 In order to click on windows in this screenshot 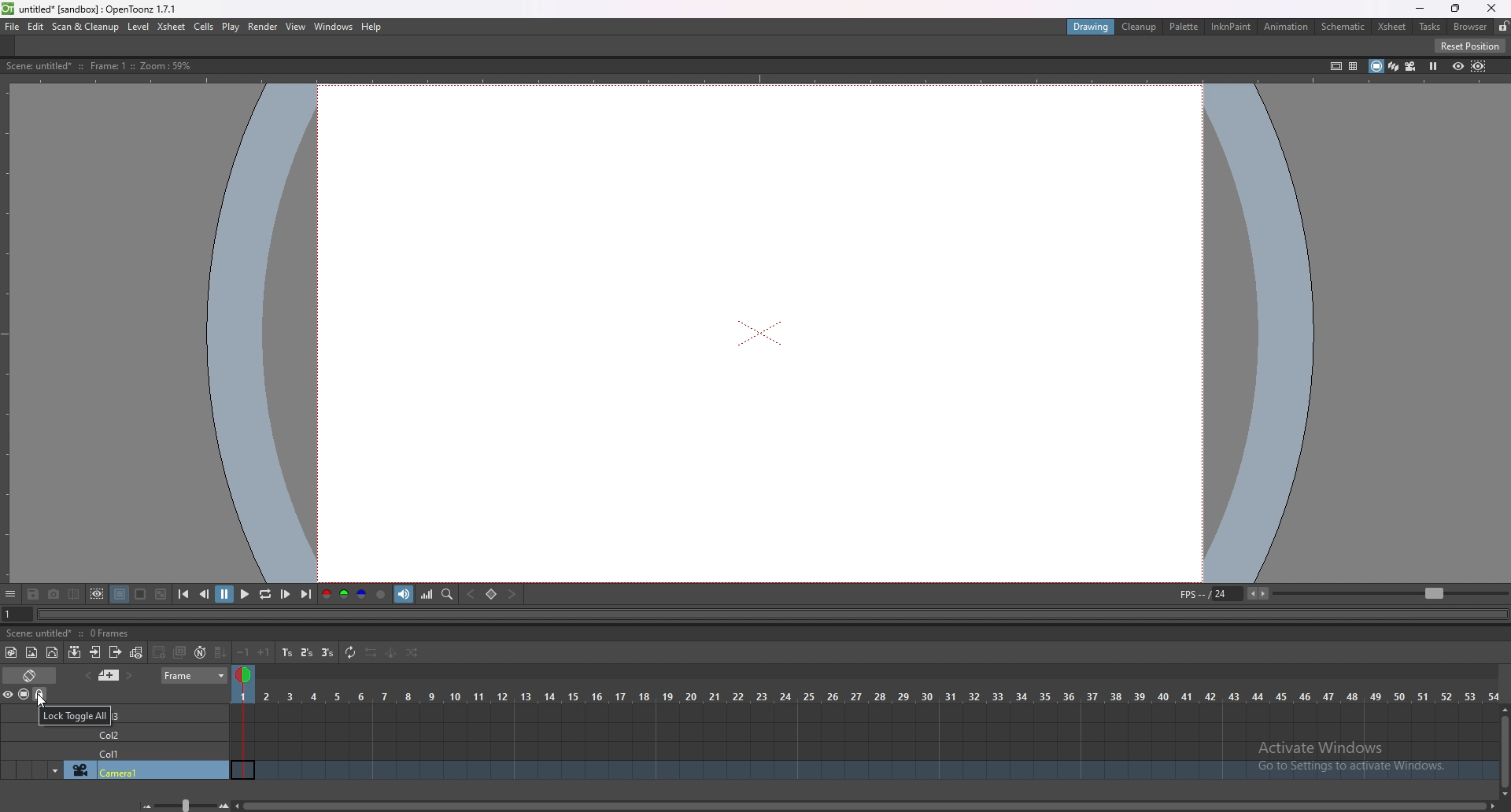, I will do `click(334, 27)`.